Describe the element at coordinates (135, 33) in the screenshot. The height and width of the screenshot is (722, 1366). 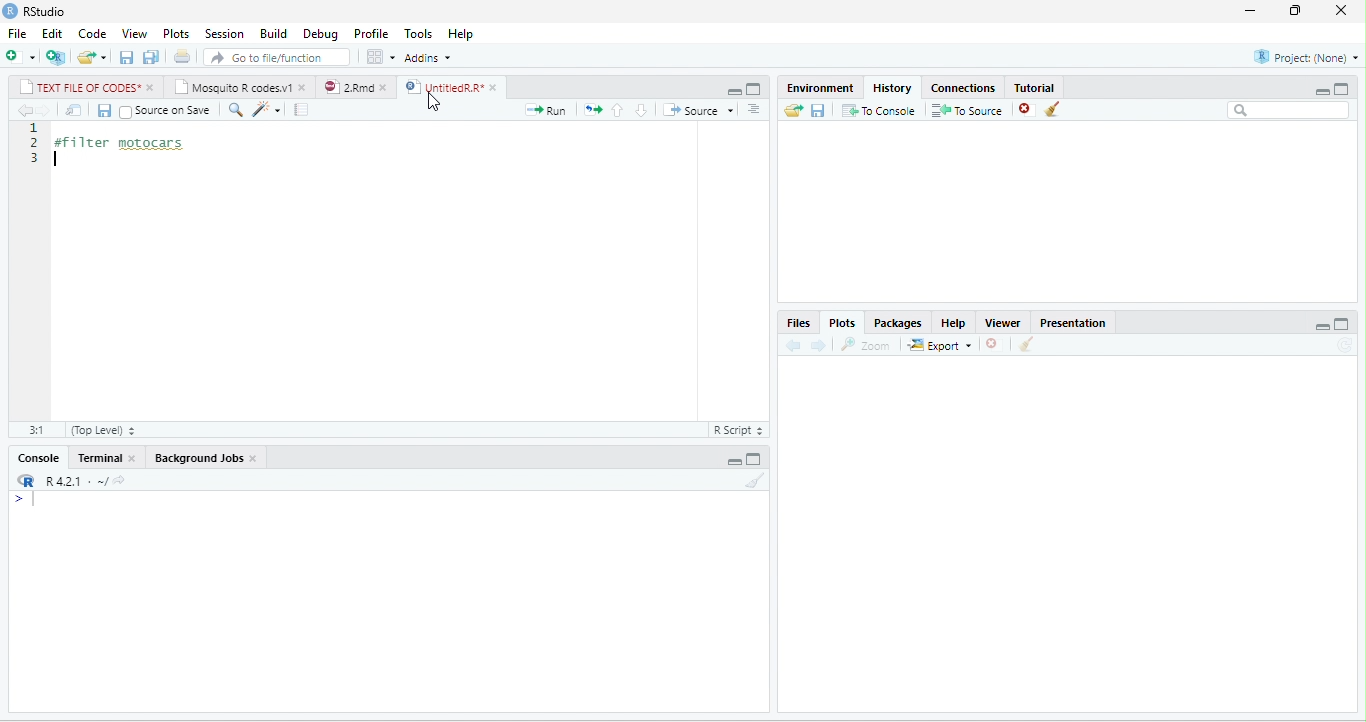
I see `View` at that location.